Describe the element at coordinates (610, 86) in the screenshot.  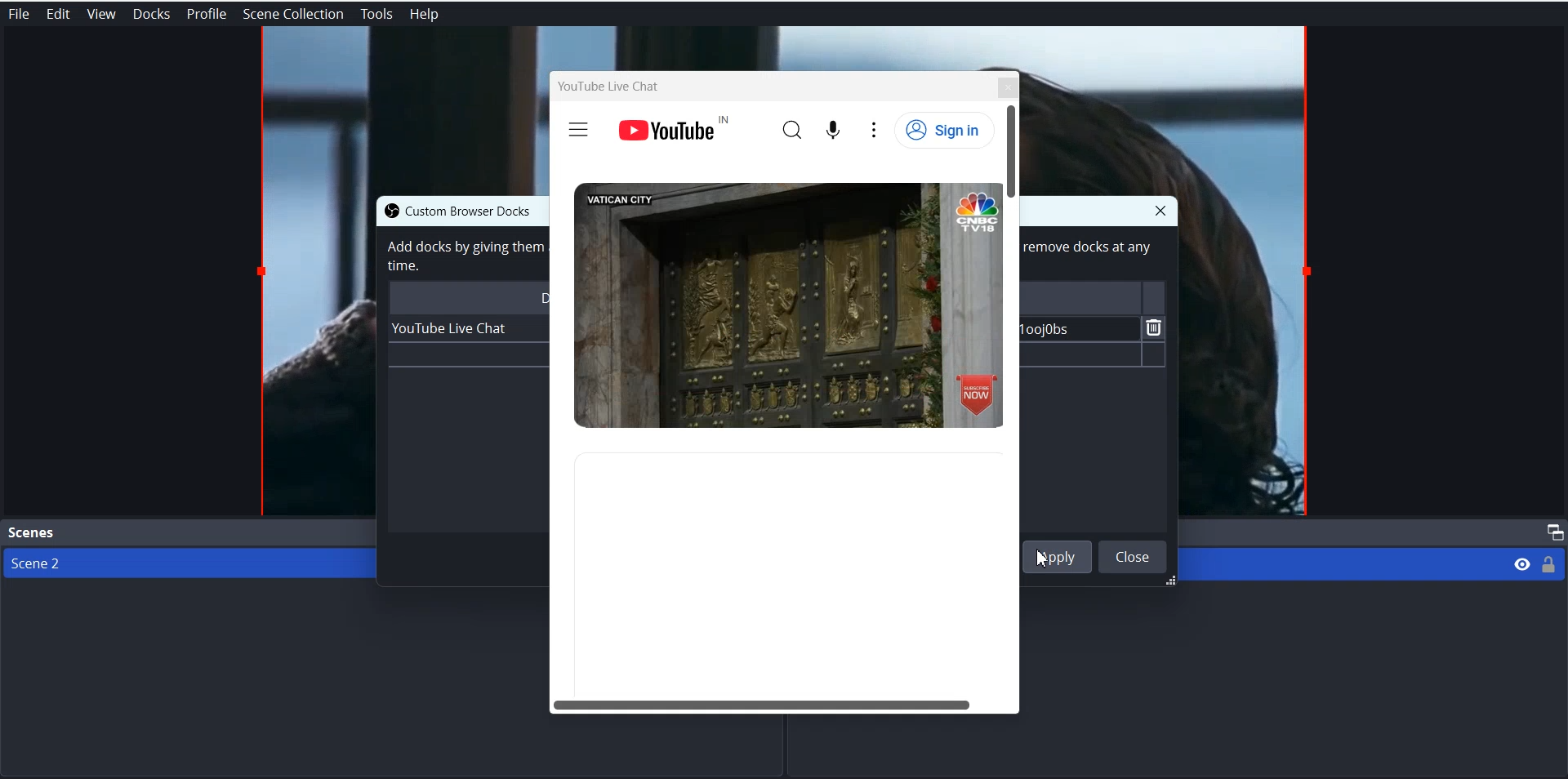
I see `Youtube Live Chat` at that location.